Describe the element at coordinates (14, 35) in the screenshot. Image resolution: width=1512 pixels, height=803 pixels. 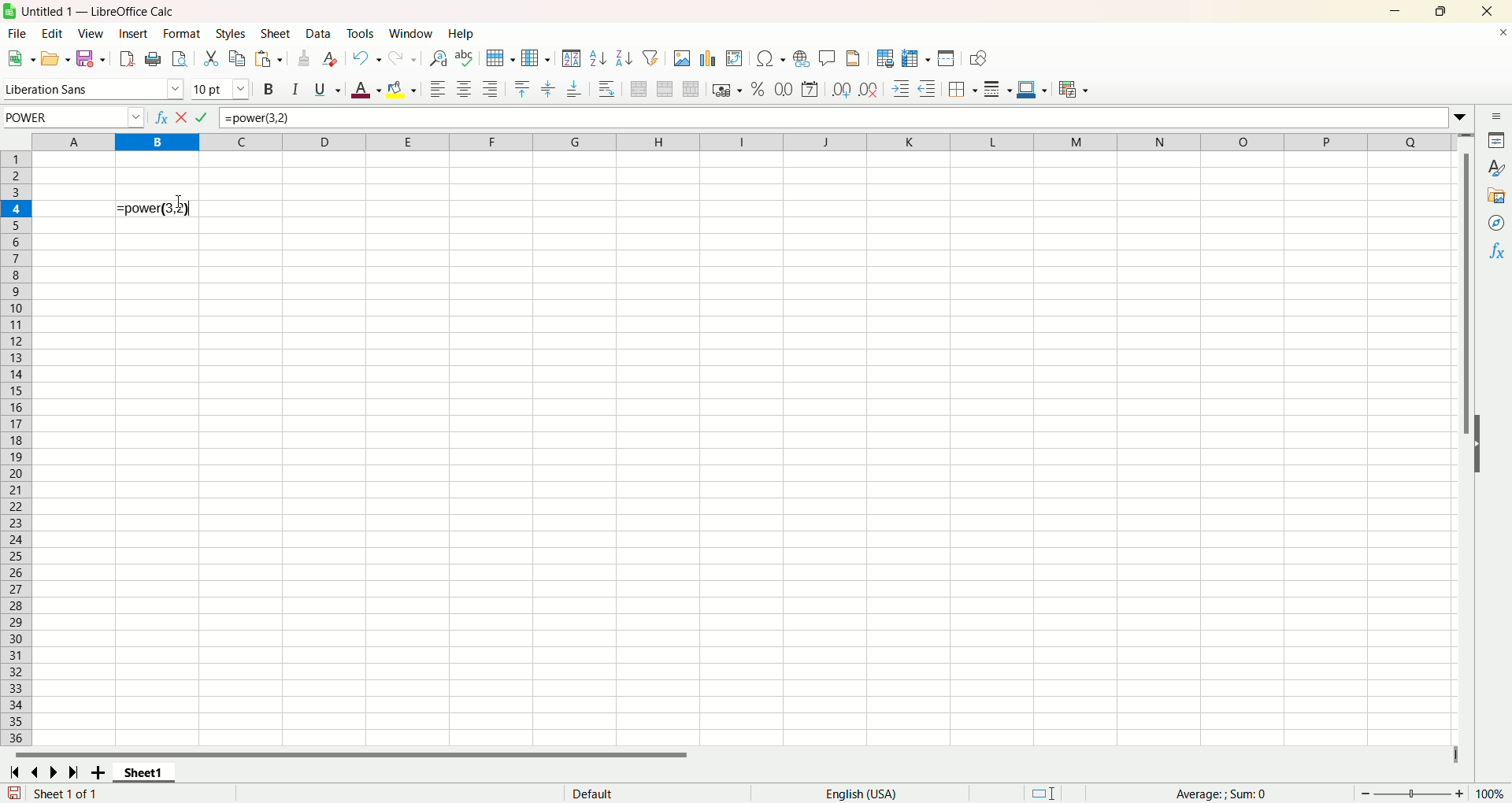
I see `file` at that location.